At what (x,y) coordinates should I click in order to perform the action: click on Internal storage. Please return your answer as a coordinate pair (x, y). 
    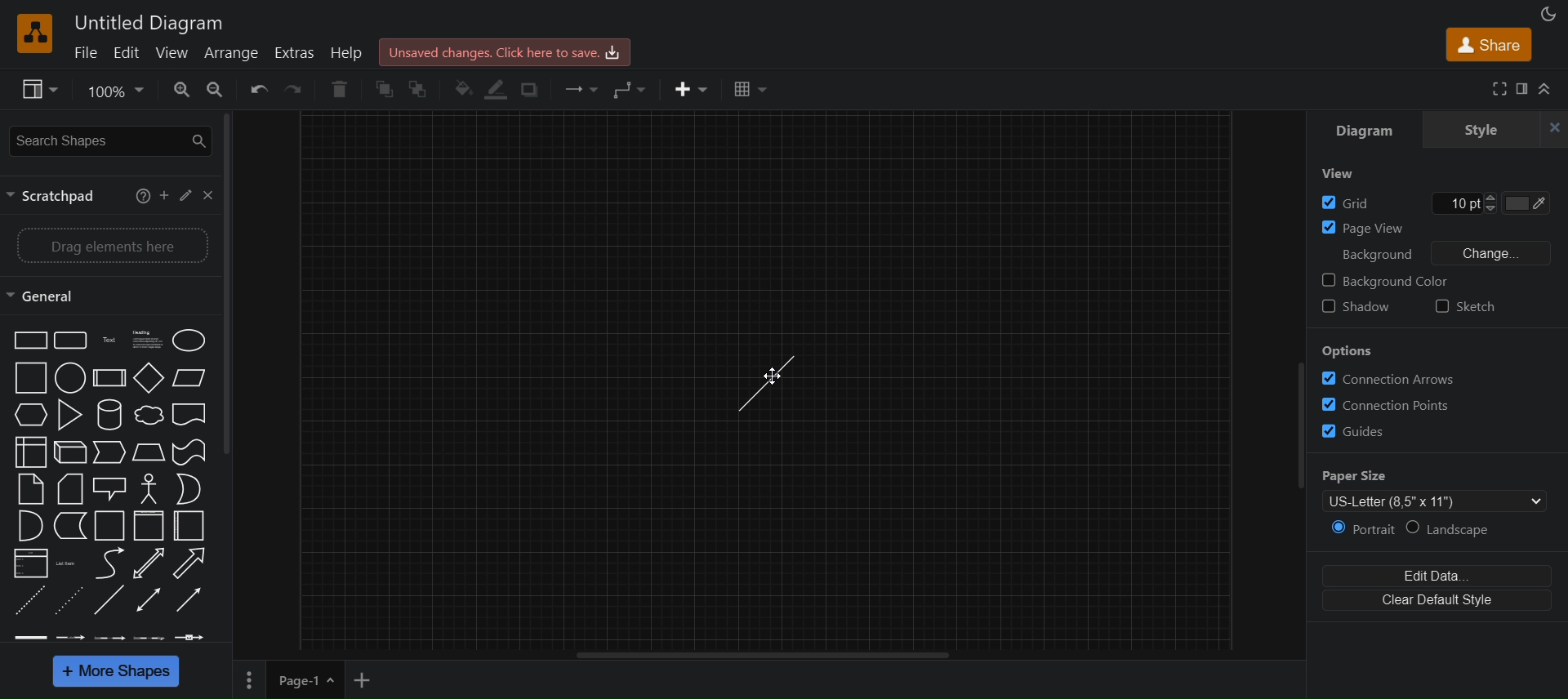
    Looking at the image, I should click on (29, 452).